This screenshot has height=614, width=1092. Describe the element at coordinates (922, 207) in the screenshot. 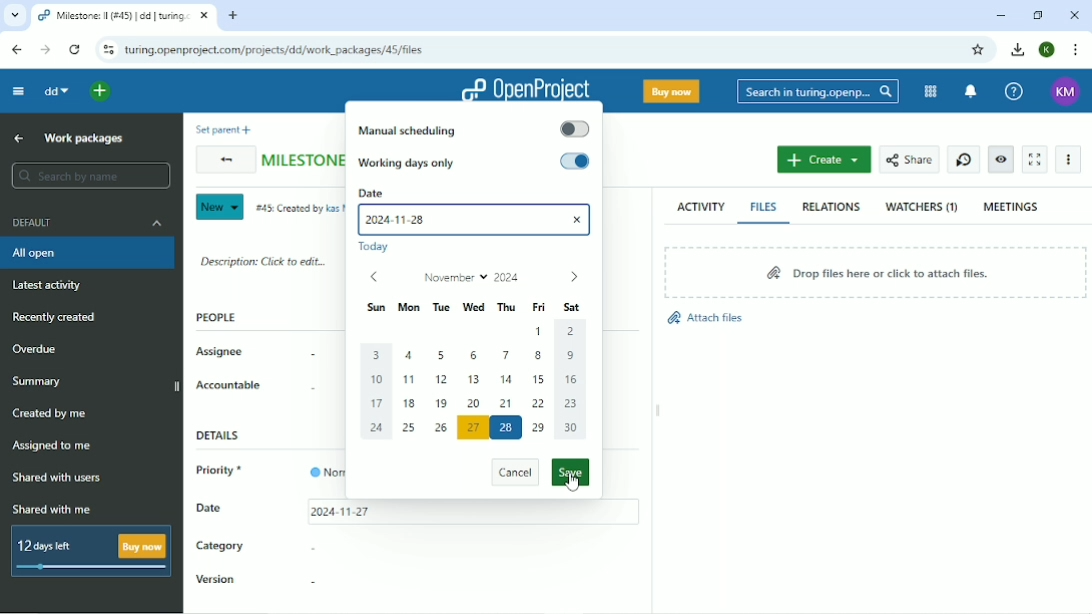

I see `Watchers 1` at that location.